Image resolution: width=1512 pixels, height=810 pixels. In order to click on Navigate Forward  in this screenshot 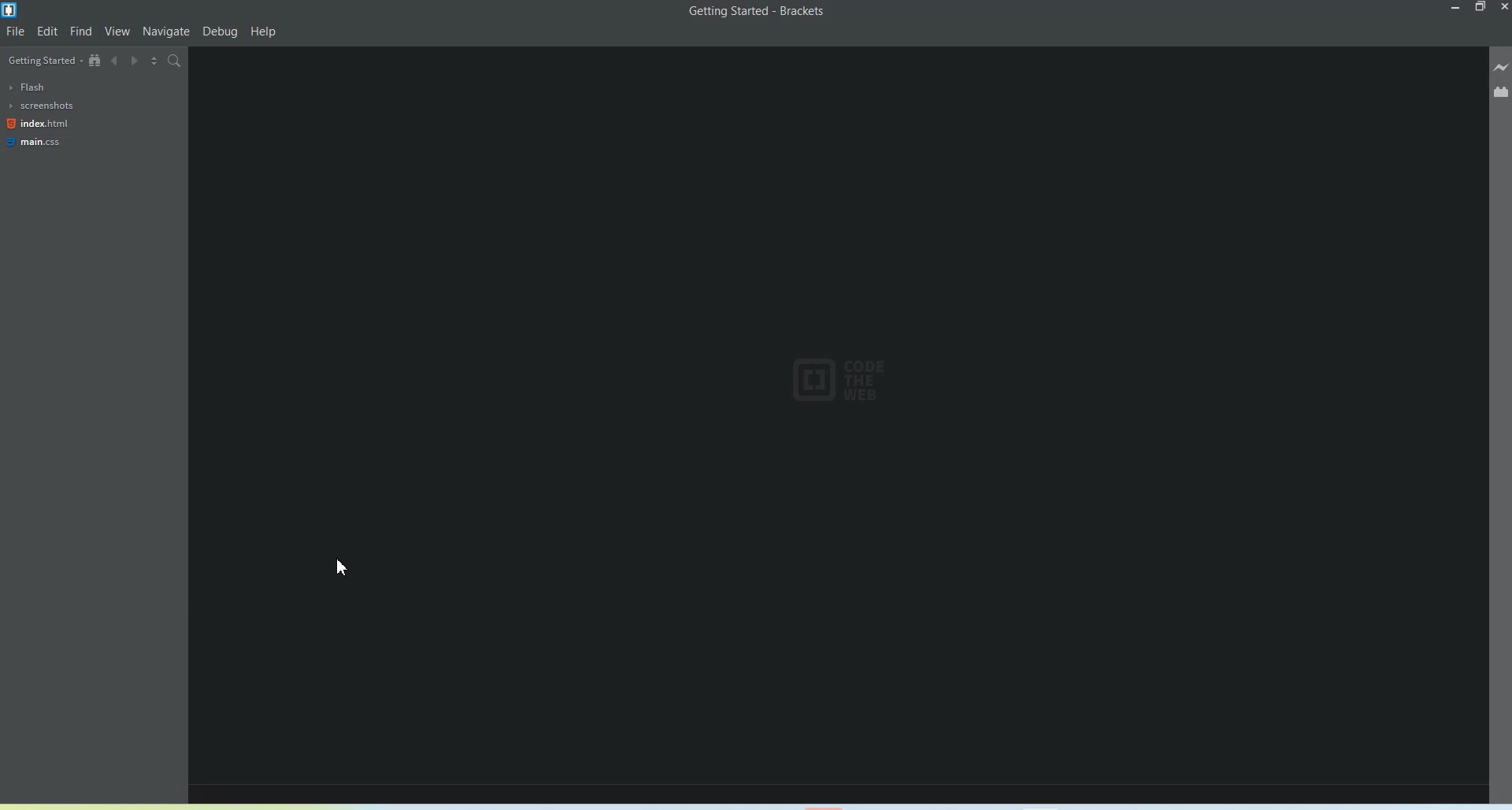, I will do `click(134, 61)`.